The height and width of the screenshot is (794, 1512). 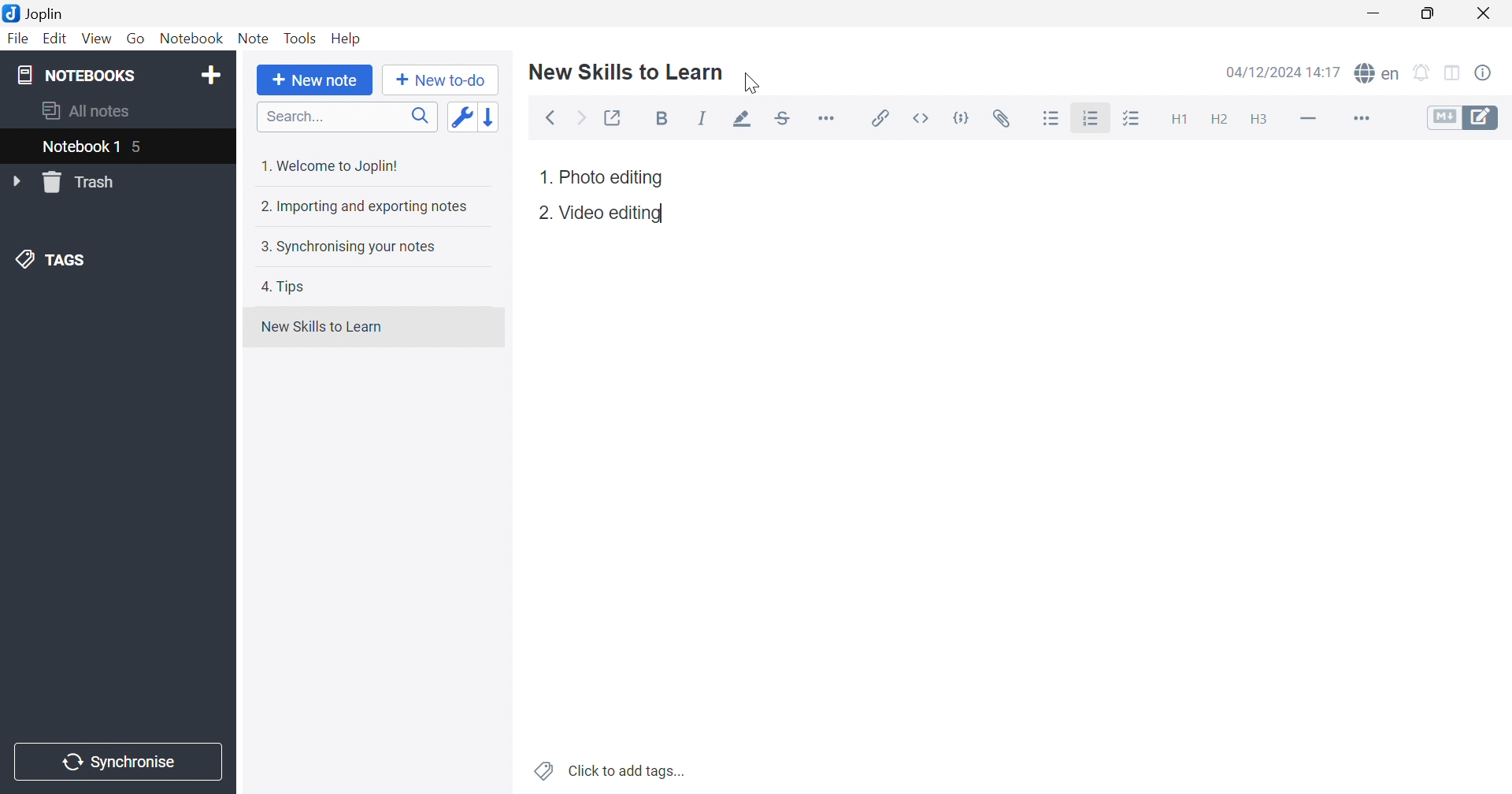 I want to click on Attach file, so click(x=1002, y=119).